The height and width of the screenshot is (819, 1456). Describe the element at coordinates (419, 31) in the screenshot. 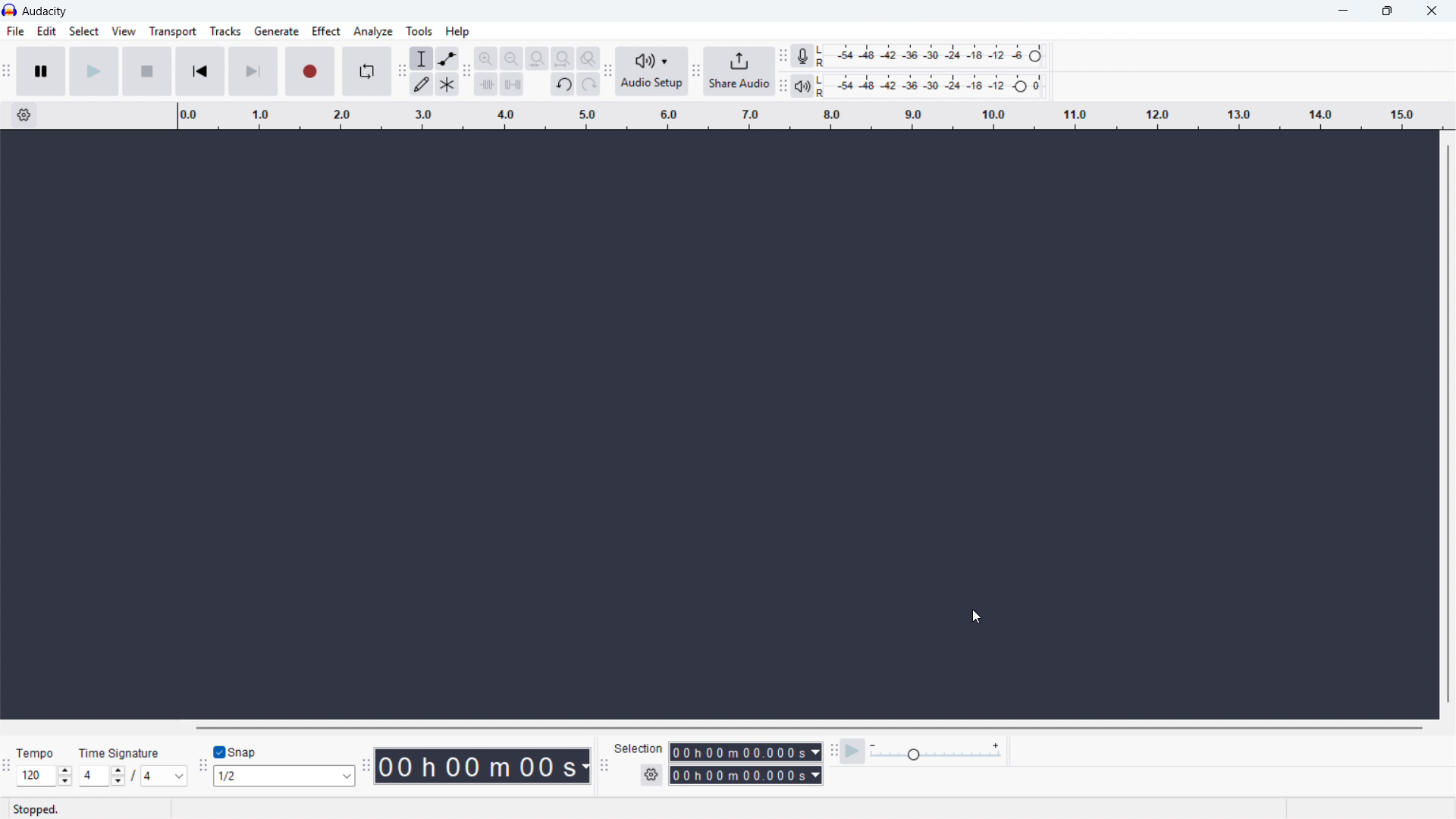

I see `tools` at that location.